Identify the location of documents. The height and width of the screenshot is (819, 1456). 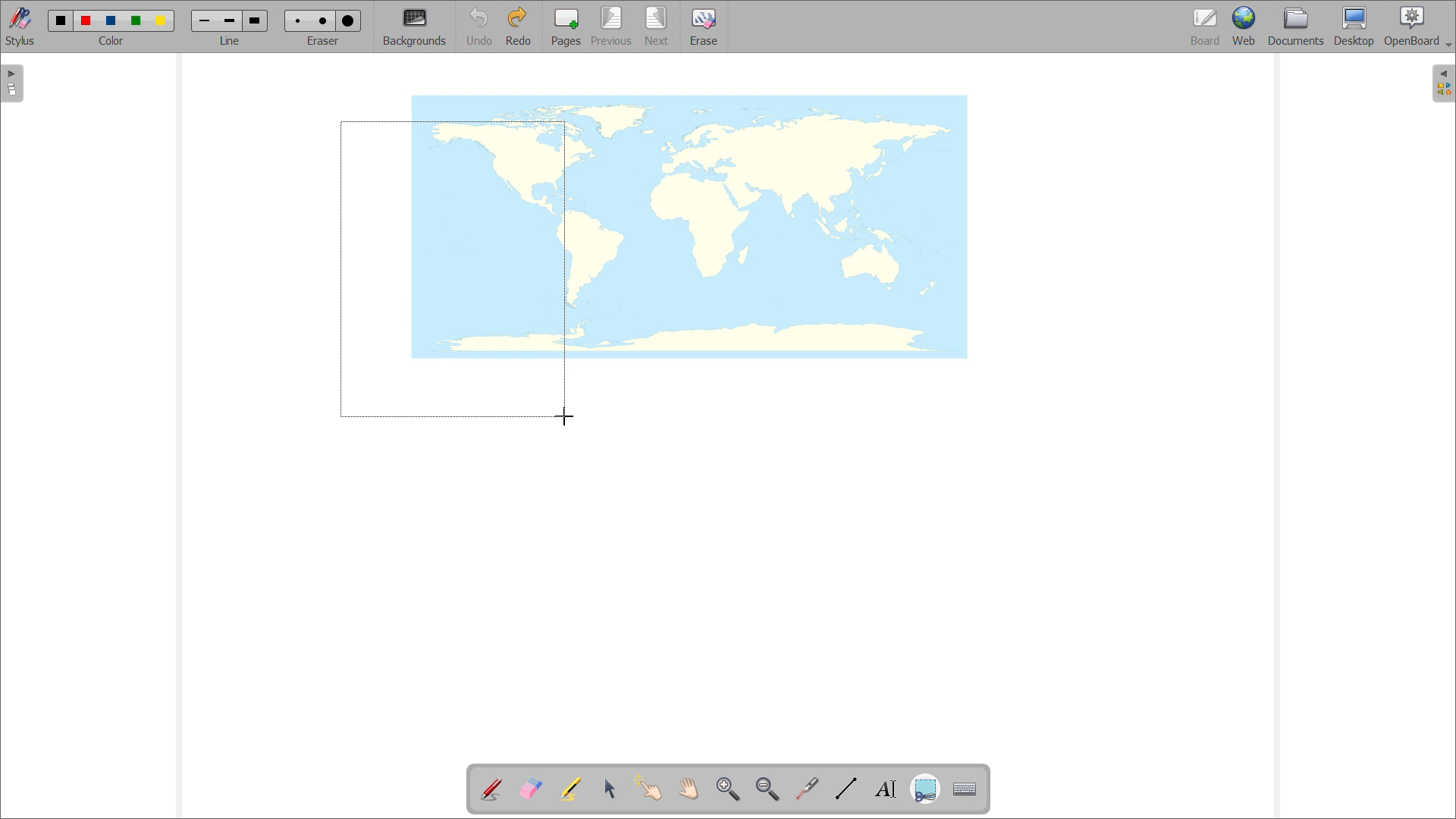
(1297, 26).